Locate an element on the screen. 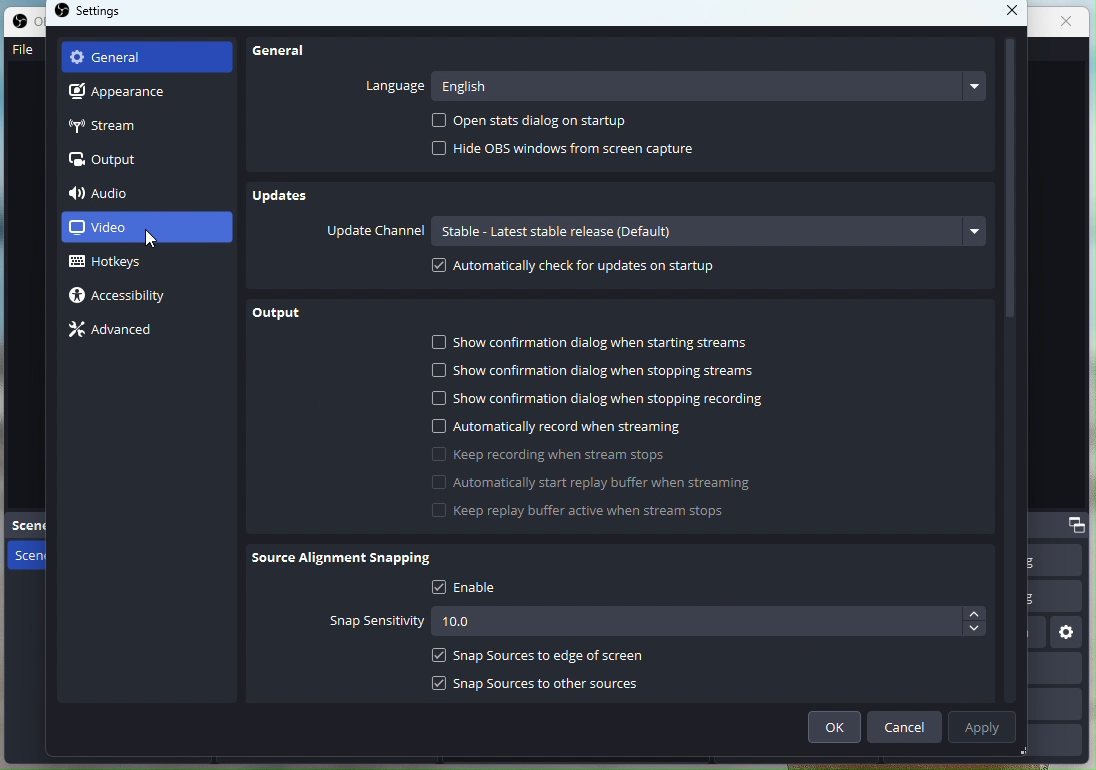 The width and height of the screenshot is (1096, 770). cursor is located at coordinates (155, 235).